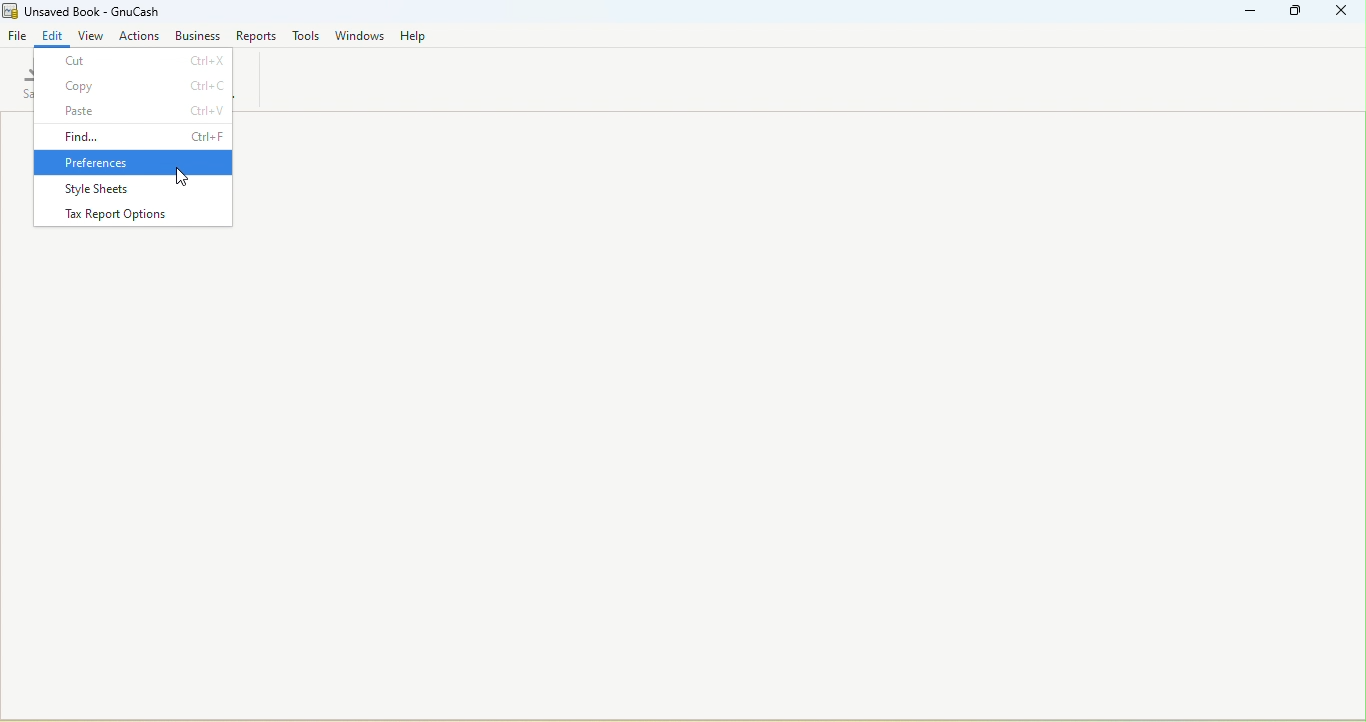 The image size is (1366, 722). I want to click on Help, so click(417, 36).